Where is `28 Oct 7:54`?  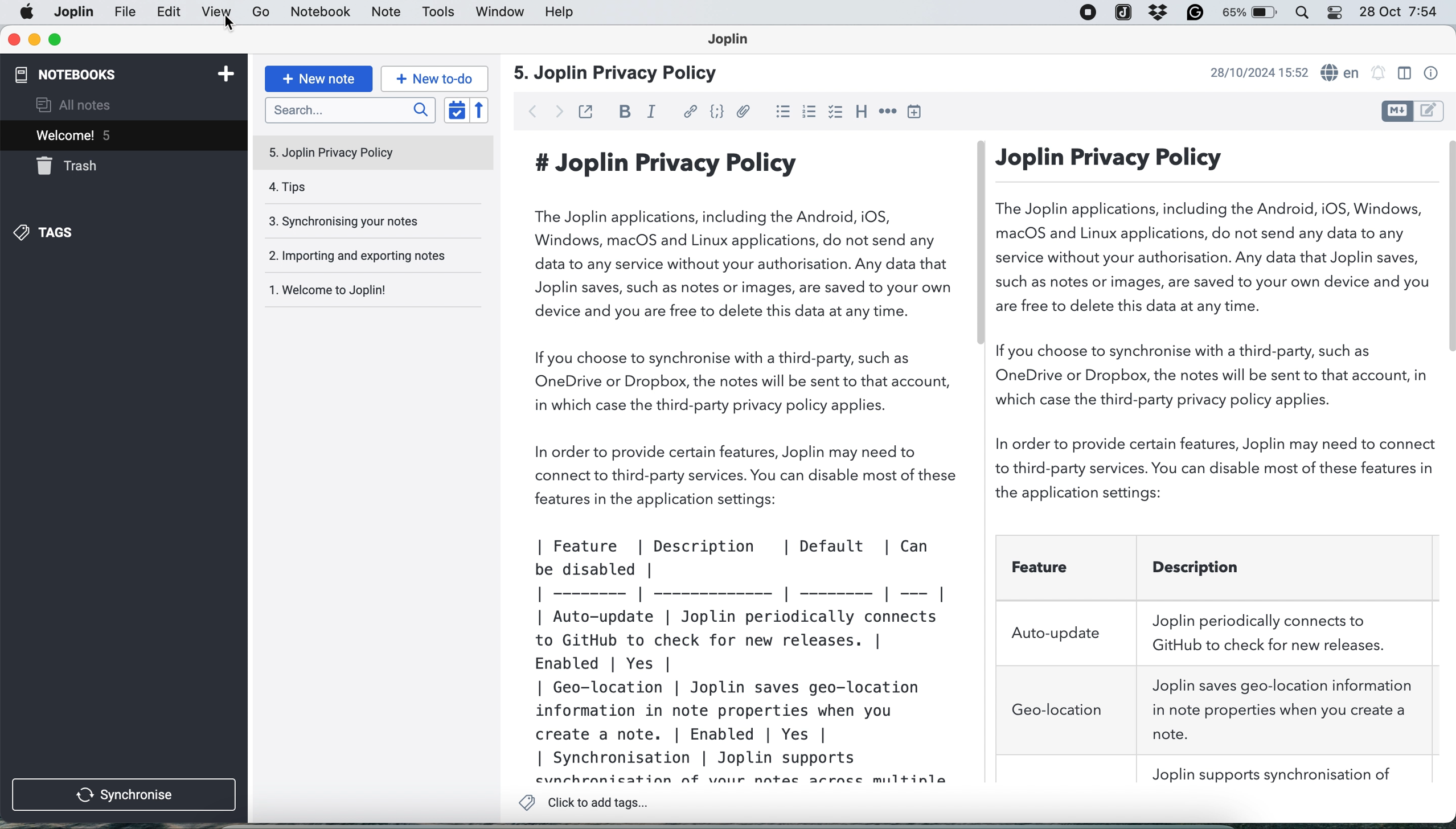 28 Oct 7:54 is located at coordinates (1398, 13).